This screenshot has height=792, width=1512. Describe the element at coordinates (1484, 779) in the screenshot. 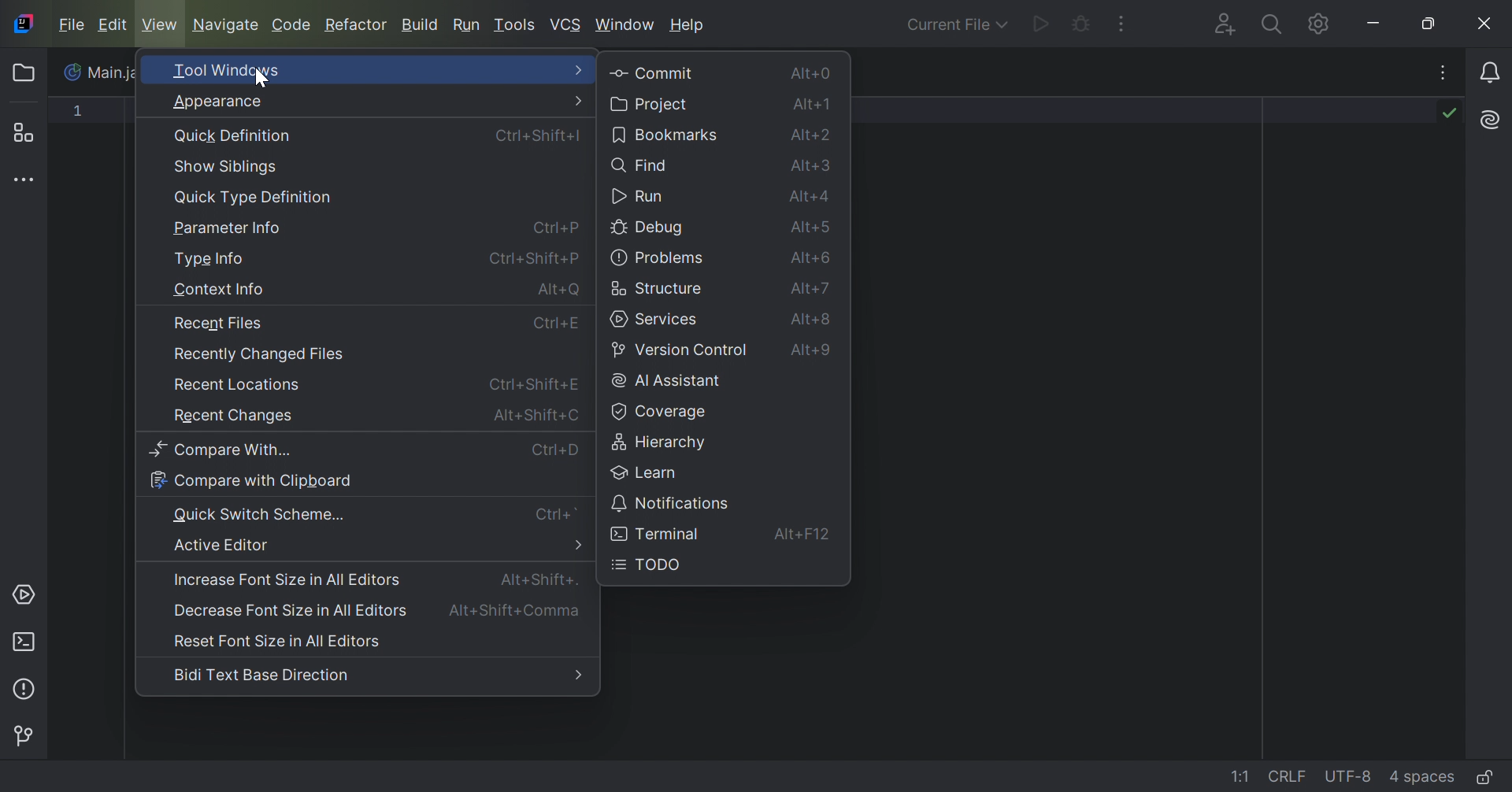

I see `Make file read-only` at that location.